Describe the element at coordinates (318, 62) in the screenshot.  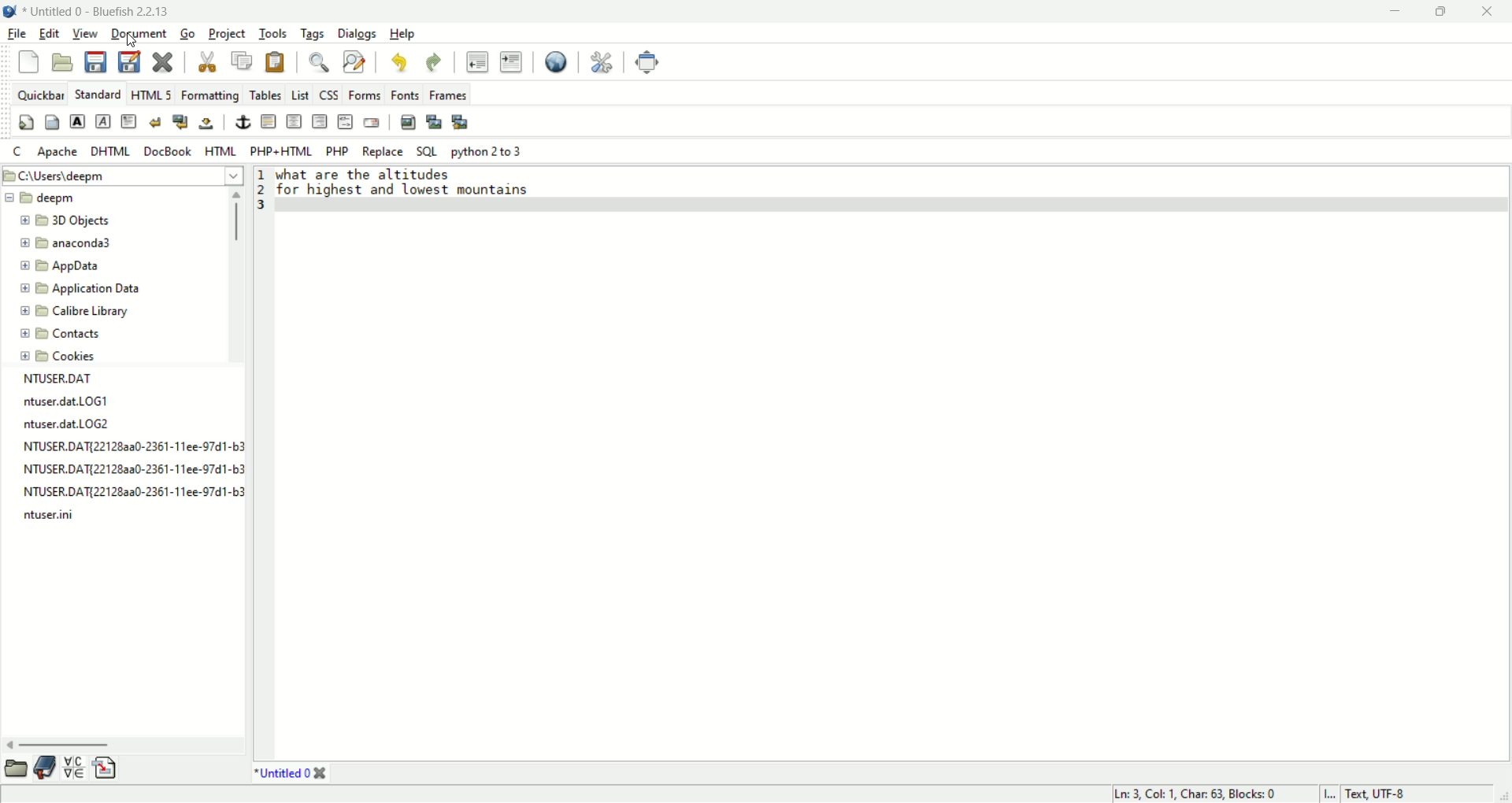
I see `show find bar` at that location.